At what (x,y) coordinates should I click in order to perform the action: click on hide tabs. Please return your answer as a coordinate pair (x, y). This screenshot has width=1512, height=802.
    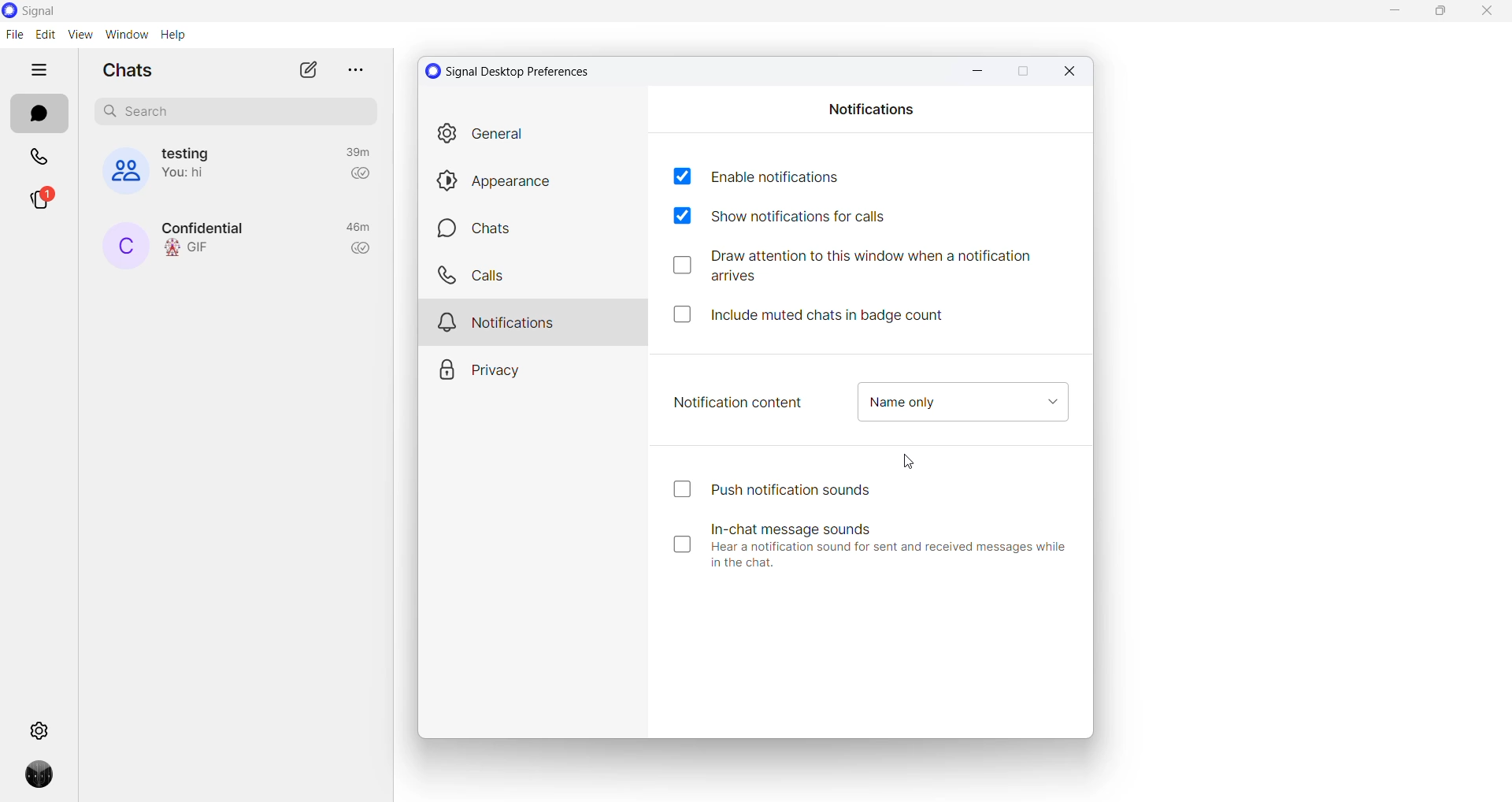
    Looking at the image, I should click on (42, 70).